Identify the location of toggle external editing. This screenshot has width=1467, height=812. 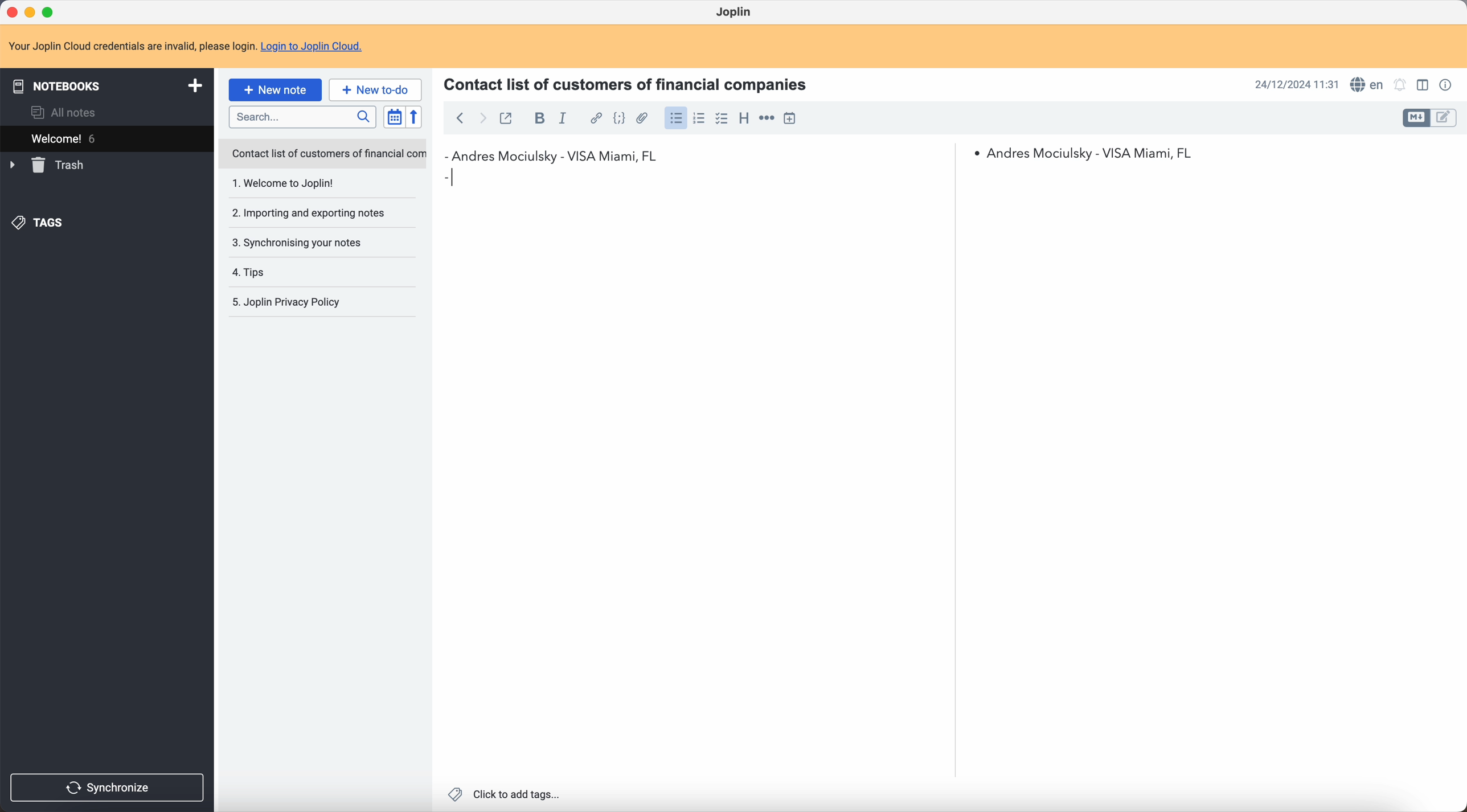
(509, 117).